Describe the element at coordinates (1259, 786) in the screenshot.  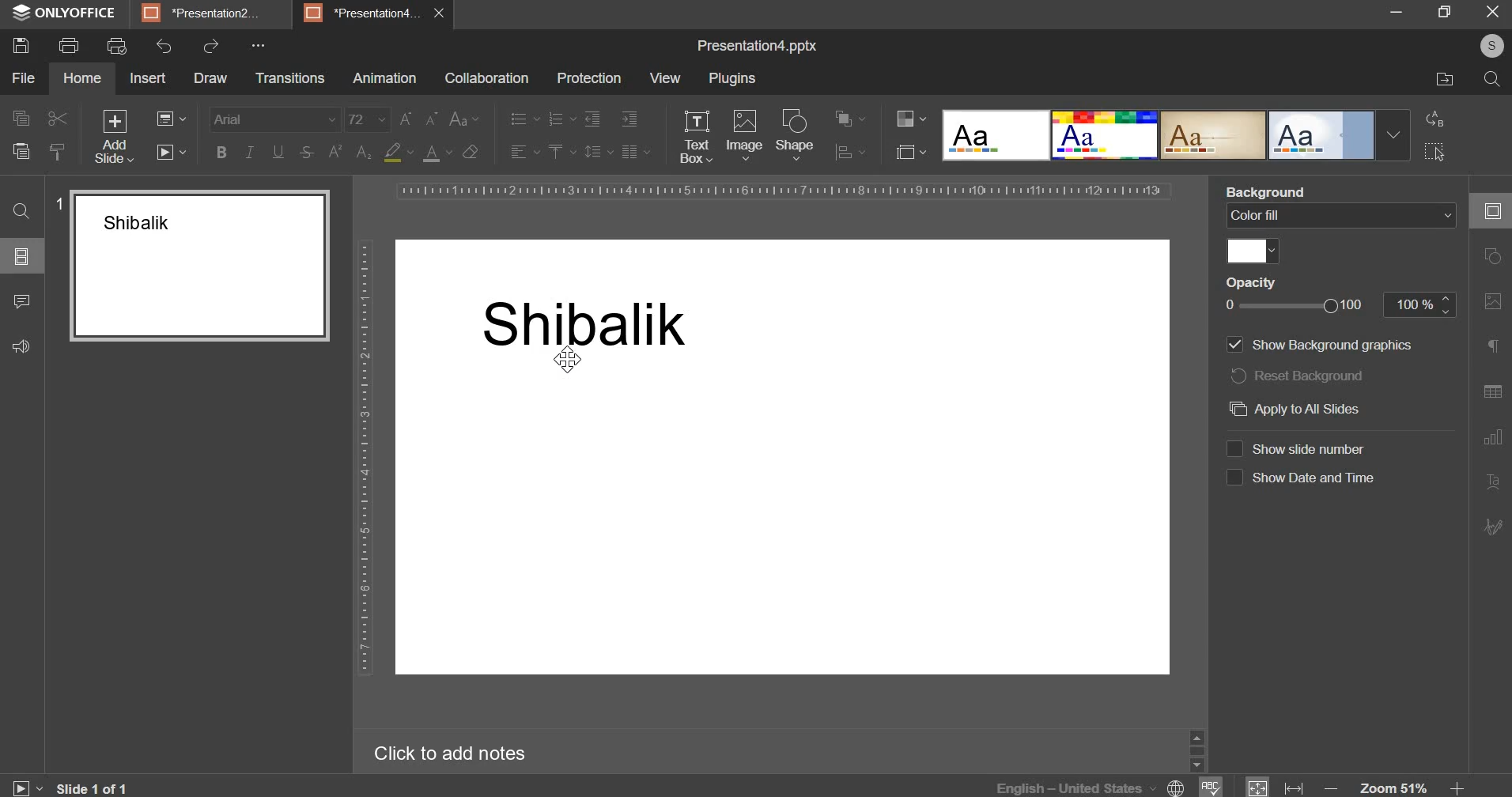
I see `fit` at that location.